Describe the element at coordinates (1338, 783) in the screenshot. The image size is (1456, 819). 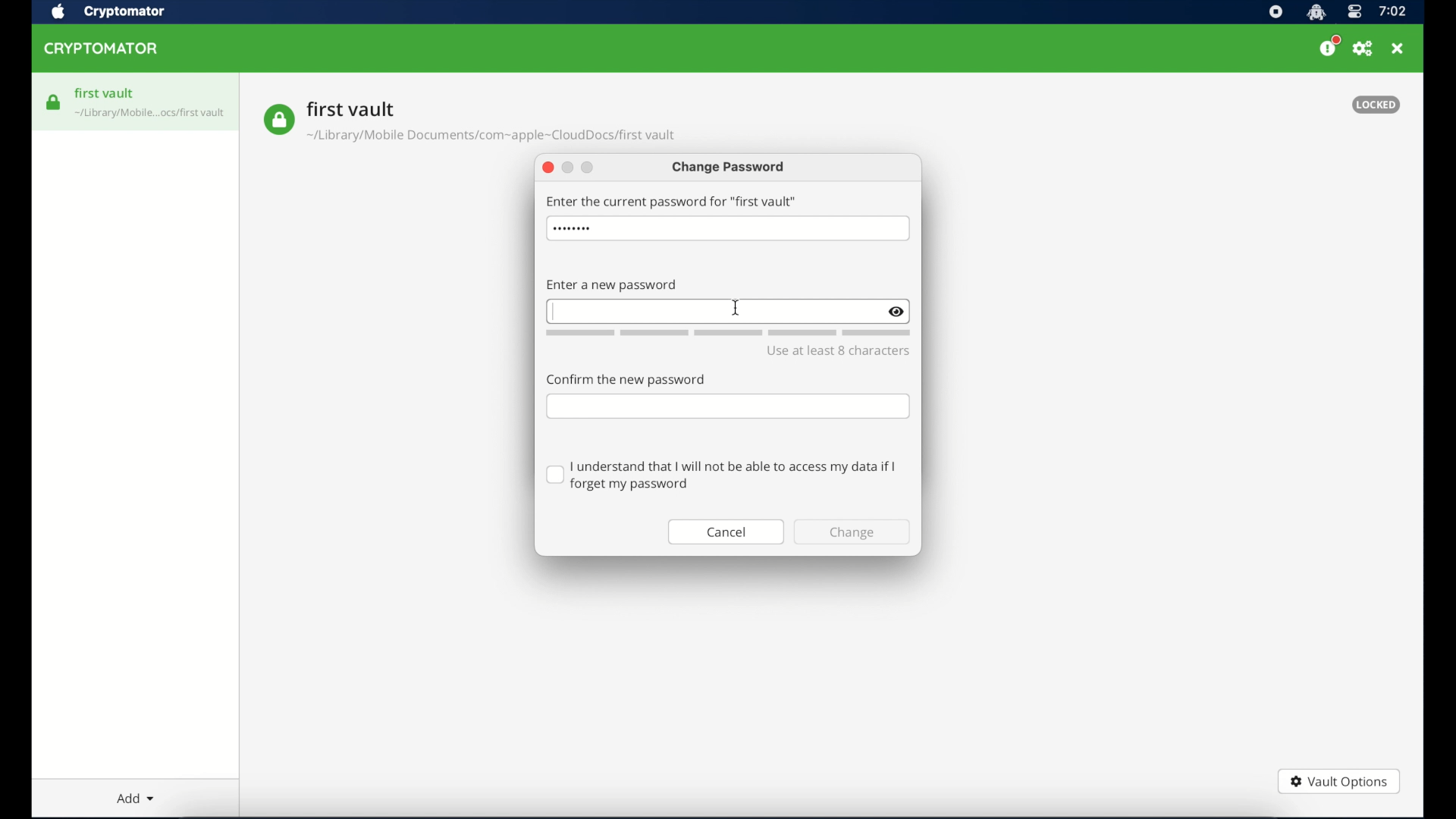
I see `vault options` at that location.